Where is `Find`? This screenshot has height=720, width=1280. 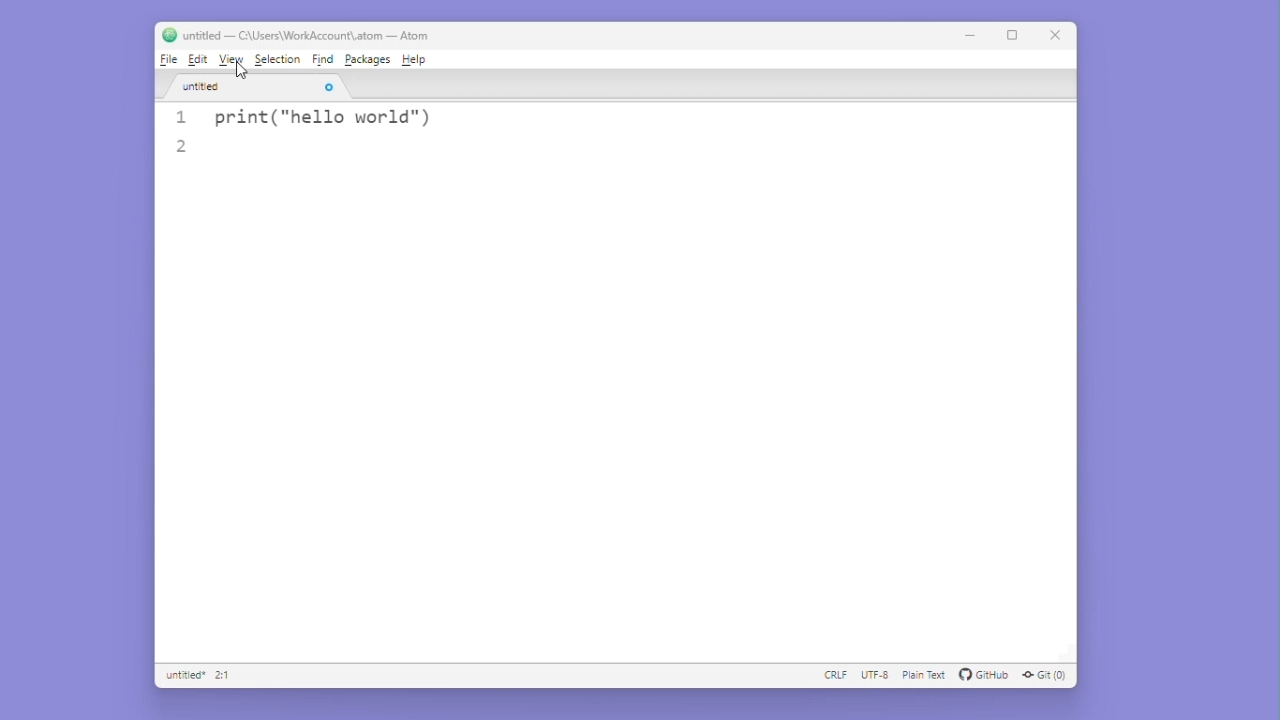 Find is located at coordinates (325, 61).